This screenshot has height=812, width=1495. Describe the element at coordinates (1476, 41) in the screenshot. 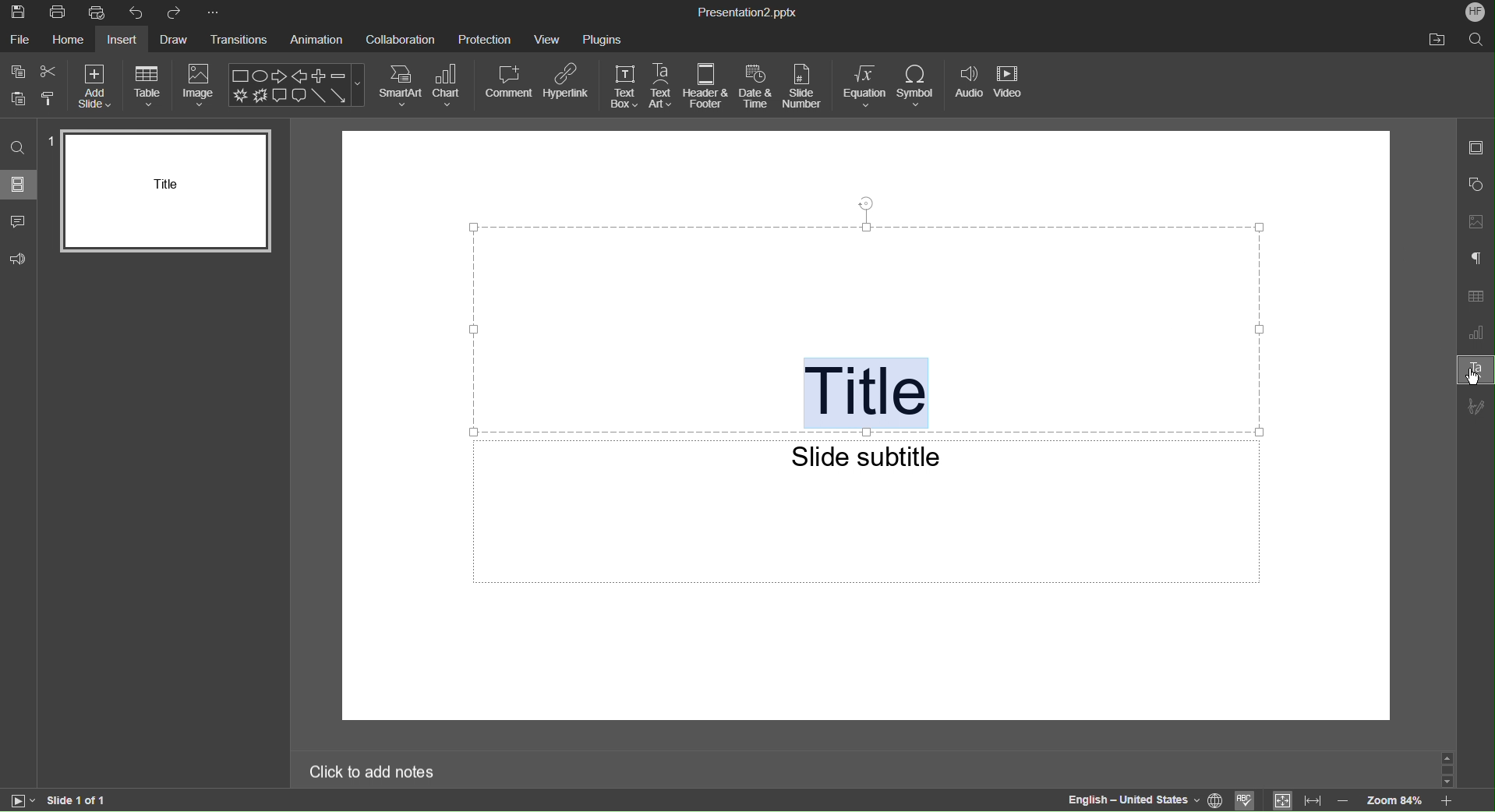

I see `Search` at that location.